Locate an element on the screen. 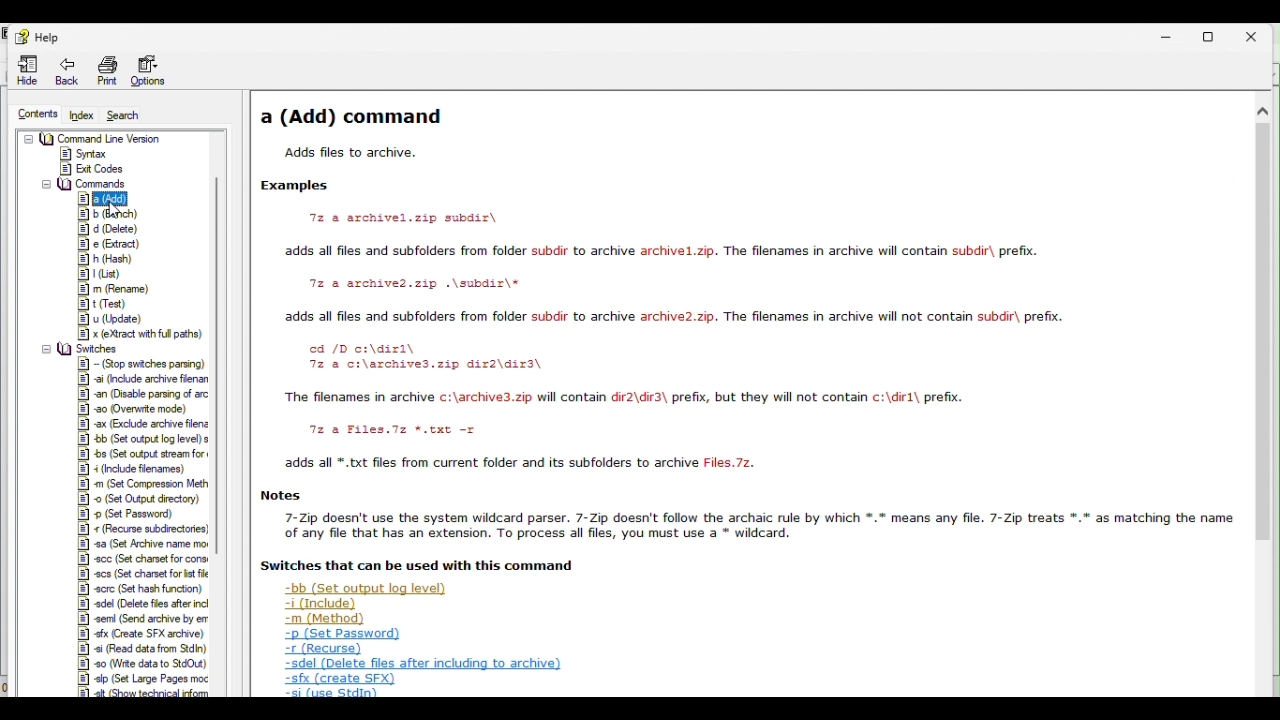  -scc is located at coordinates (146, 559).